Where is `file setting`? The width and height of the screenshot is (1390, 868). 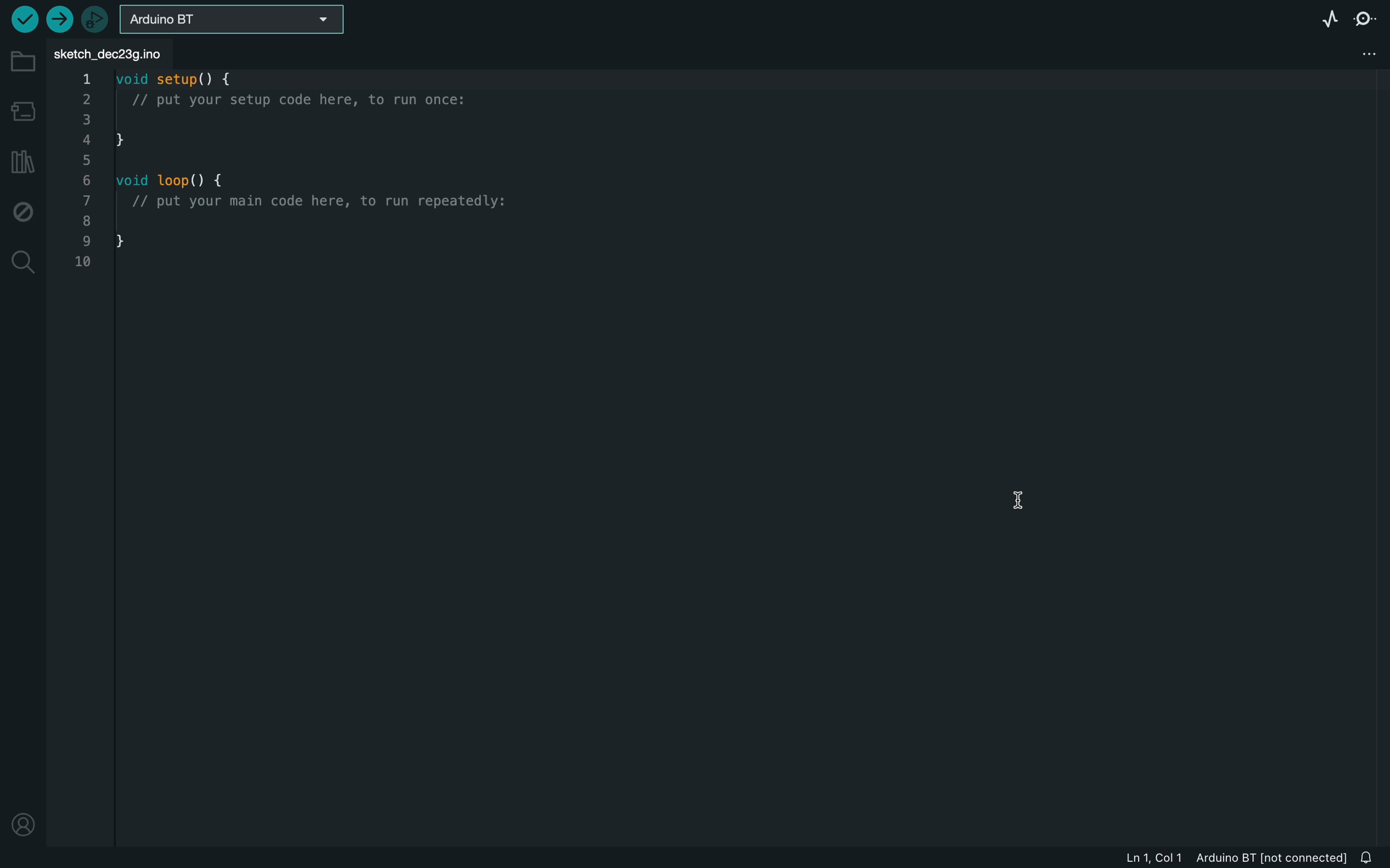 file setting is located at coordinates (1349, 51).